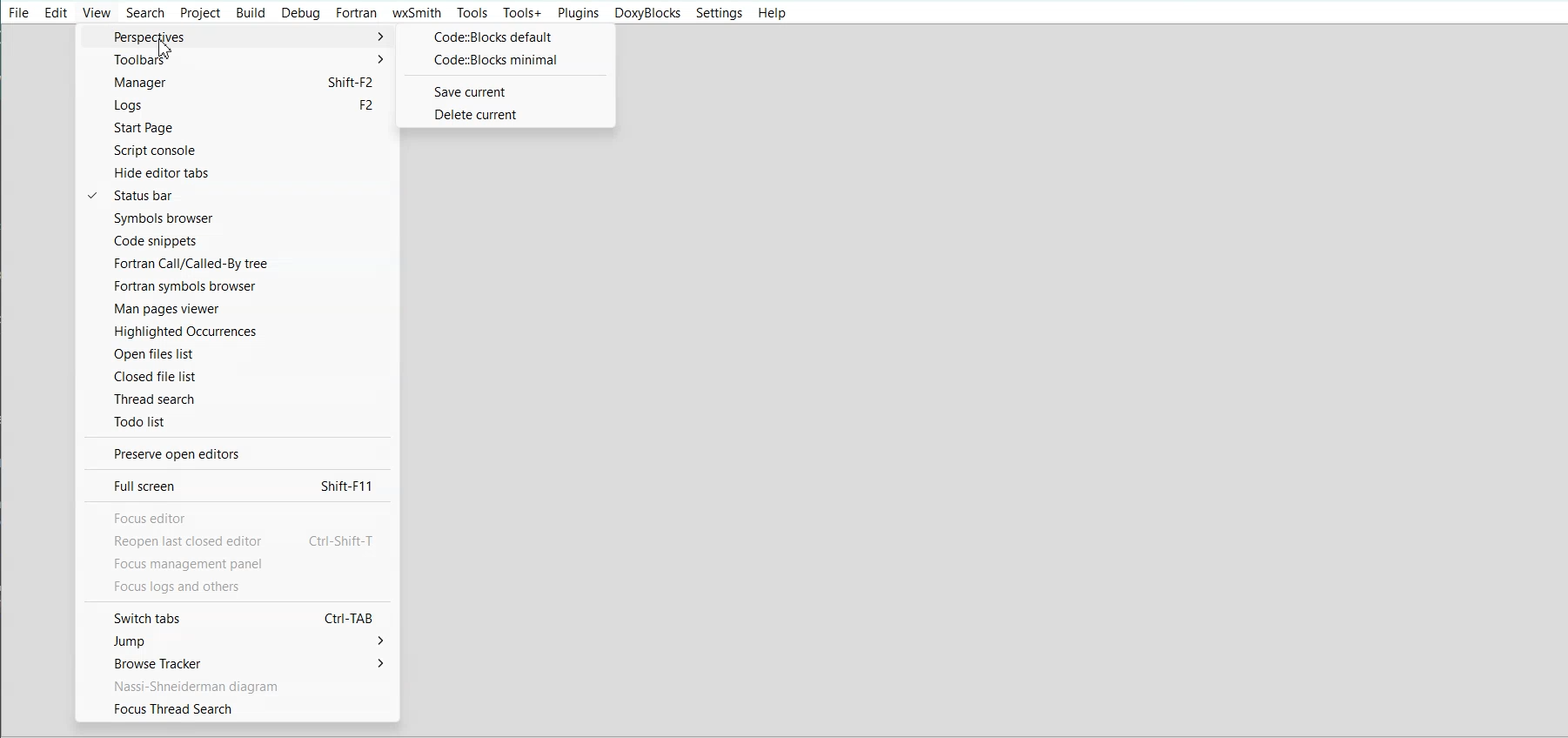  What do you see at coordinates (237, 376) in the screenshot?
I see `Closed file list` at bounding box center [237, 376].